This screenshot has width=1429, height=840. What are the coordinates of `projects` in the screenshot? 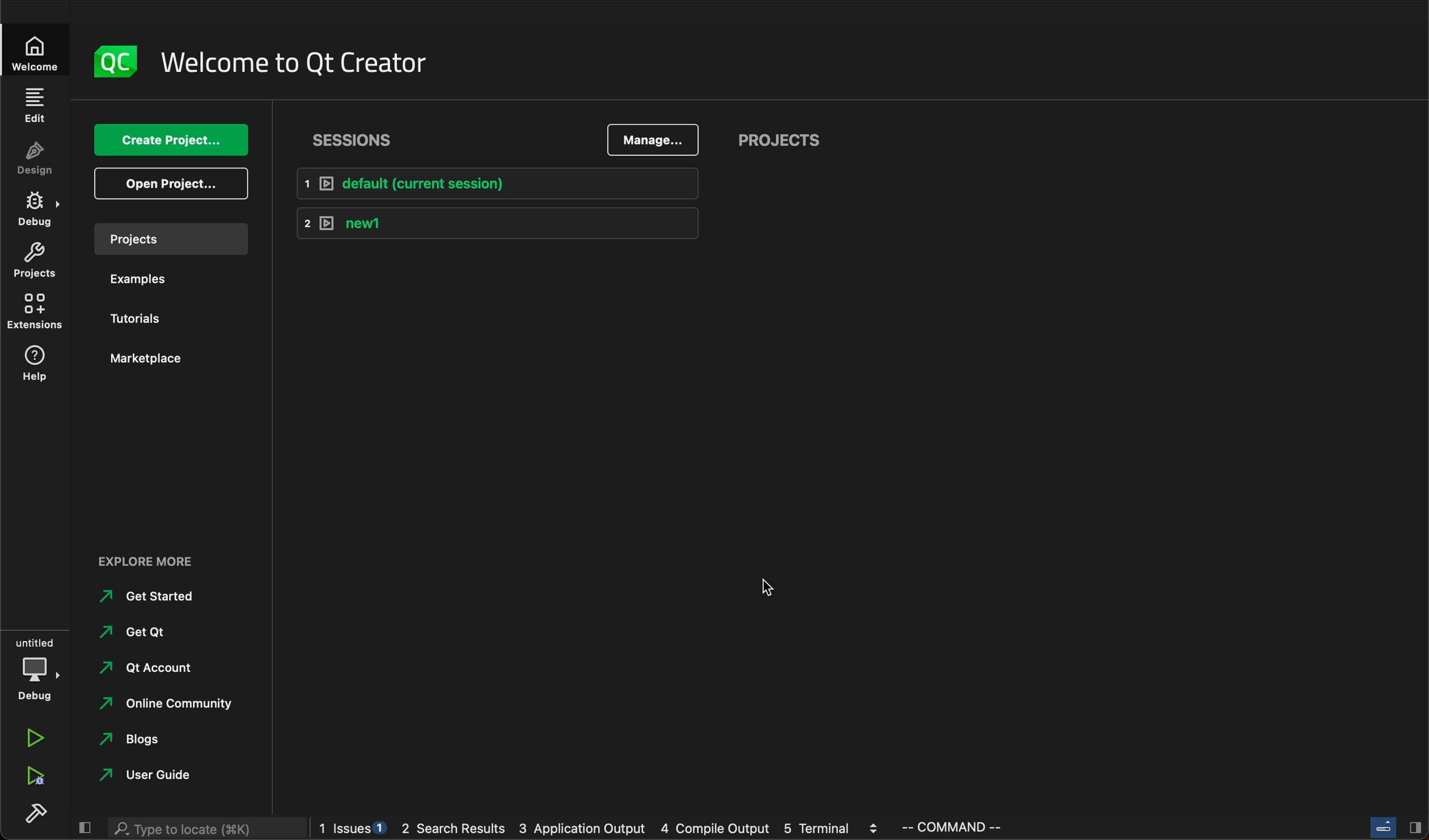 It's located at (33, 261).